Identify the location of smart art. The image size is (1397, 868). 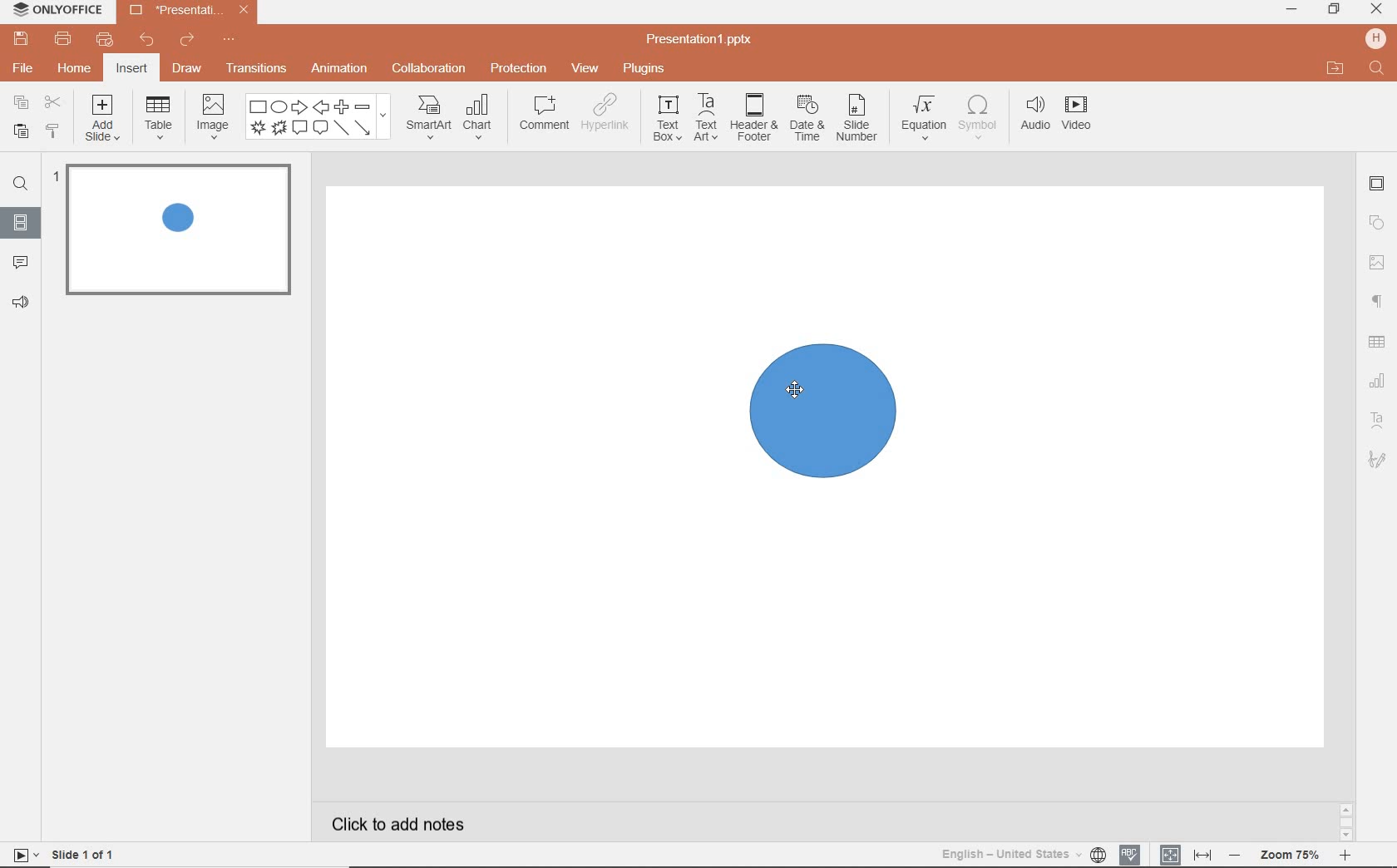
(428, 118).